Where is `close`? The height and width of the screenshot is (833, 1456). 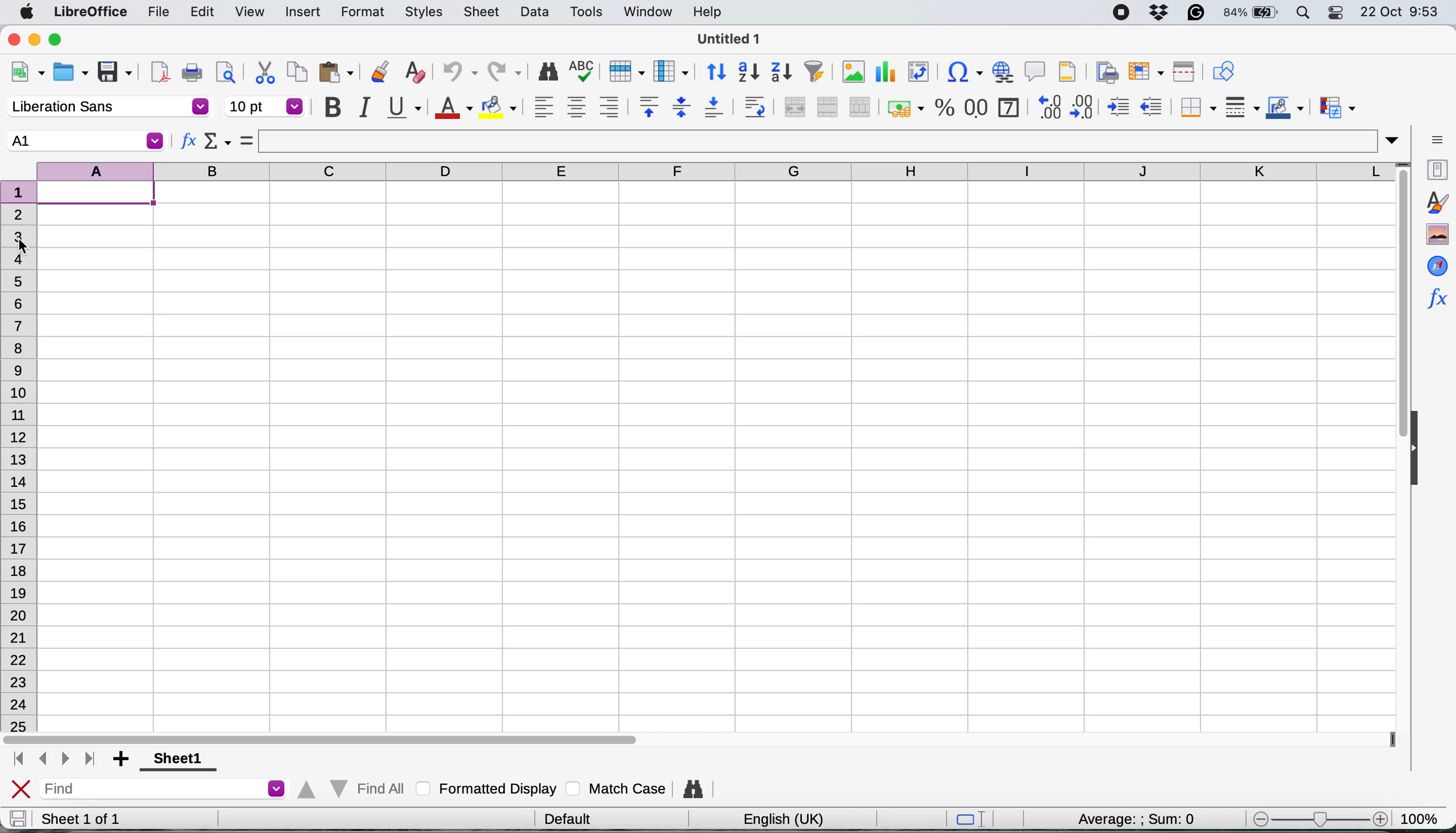 close is located at coordinates (14, 38).